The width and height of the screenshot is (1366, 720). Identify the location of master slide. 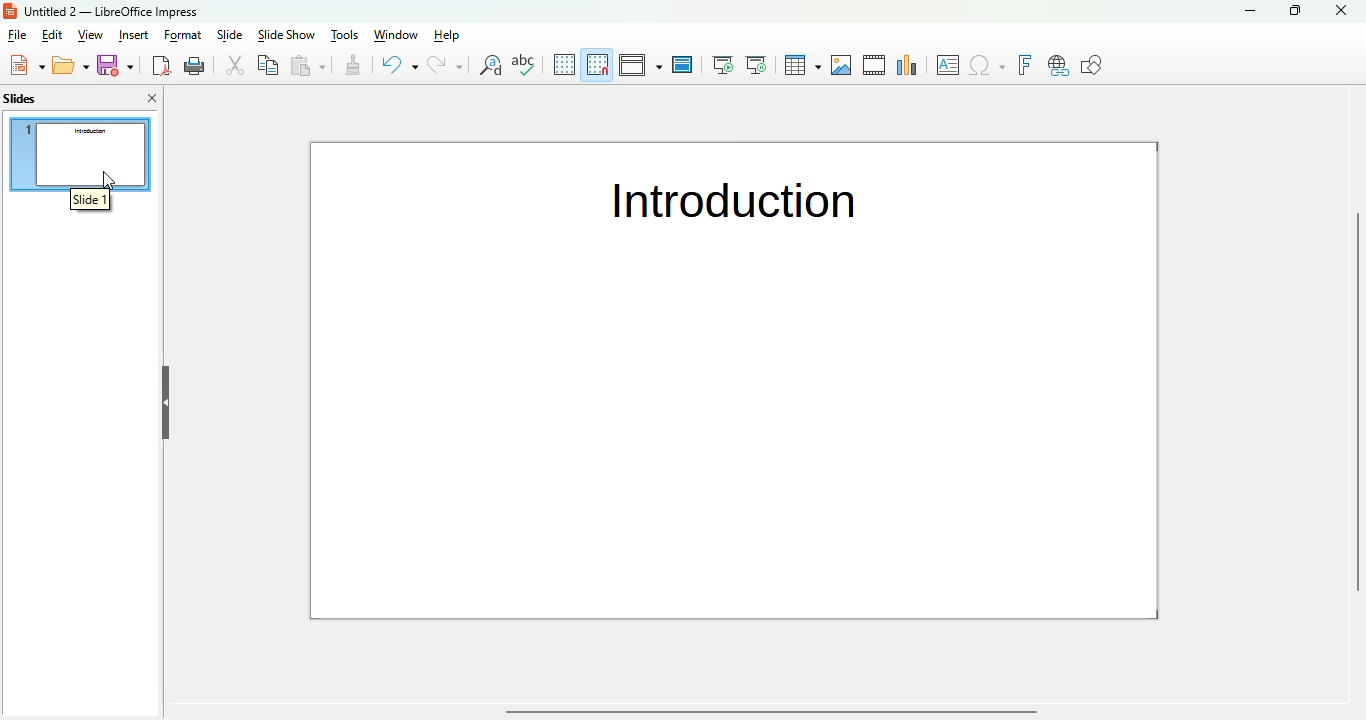
(682, 65).